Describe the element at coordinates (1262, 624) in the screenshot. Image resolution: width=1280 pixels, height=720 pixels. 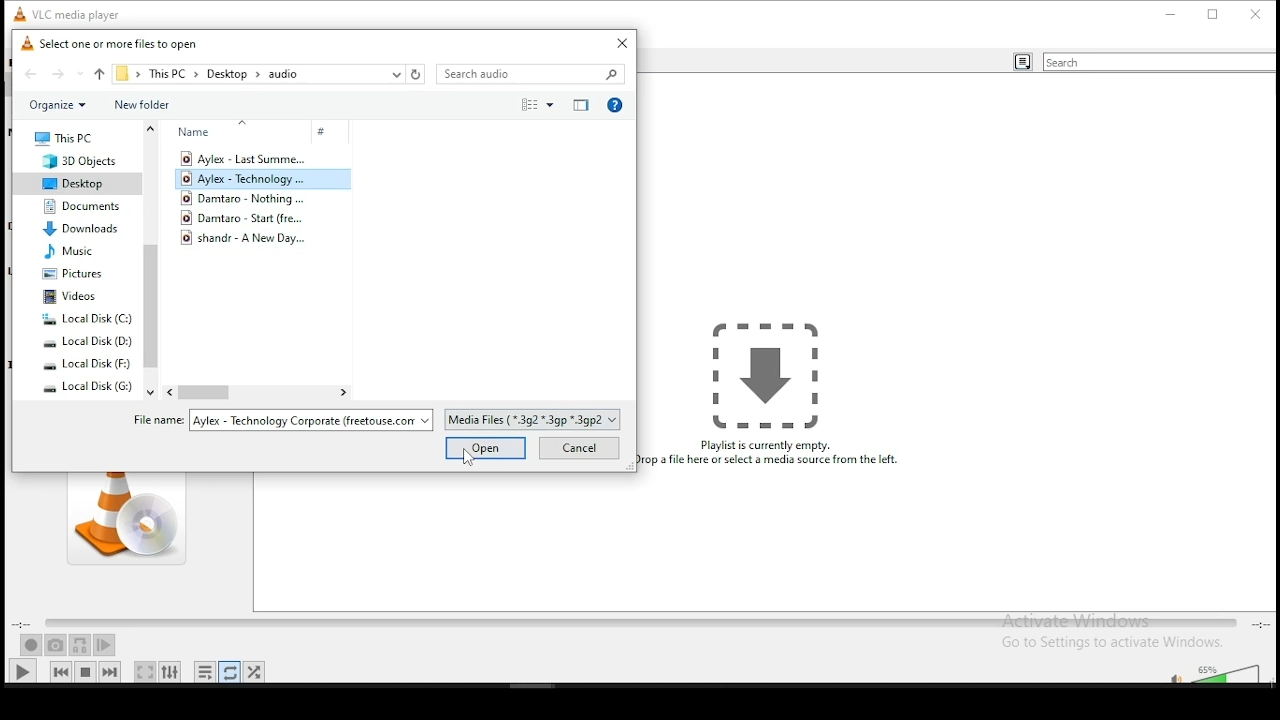
I see `total/remaining time` at that location.